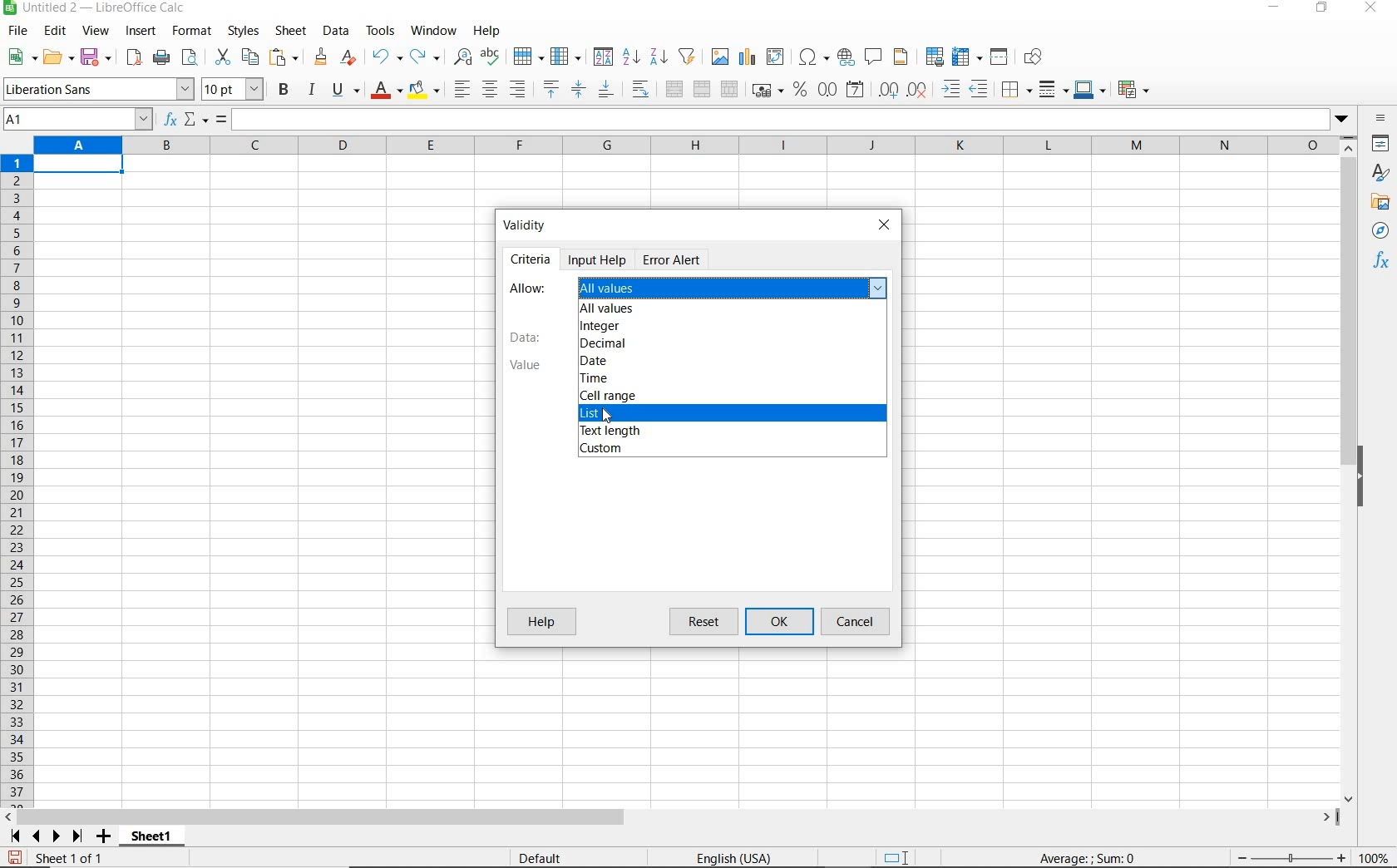 This screenshot has height=868, width=1397. What do you see at coordinates (346, 91) in the screenshot?
I see `underline` at bounding box center [346, 91].